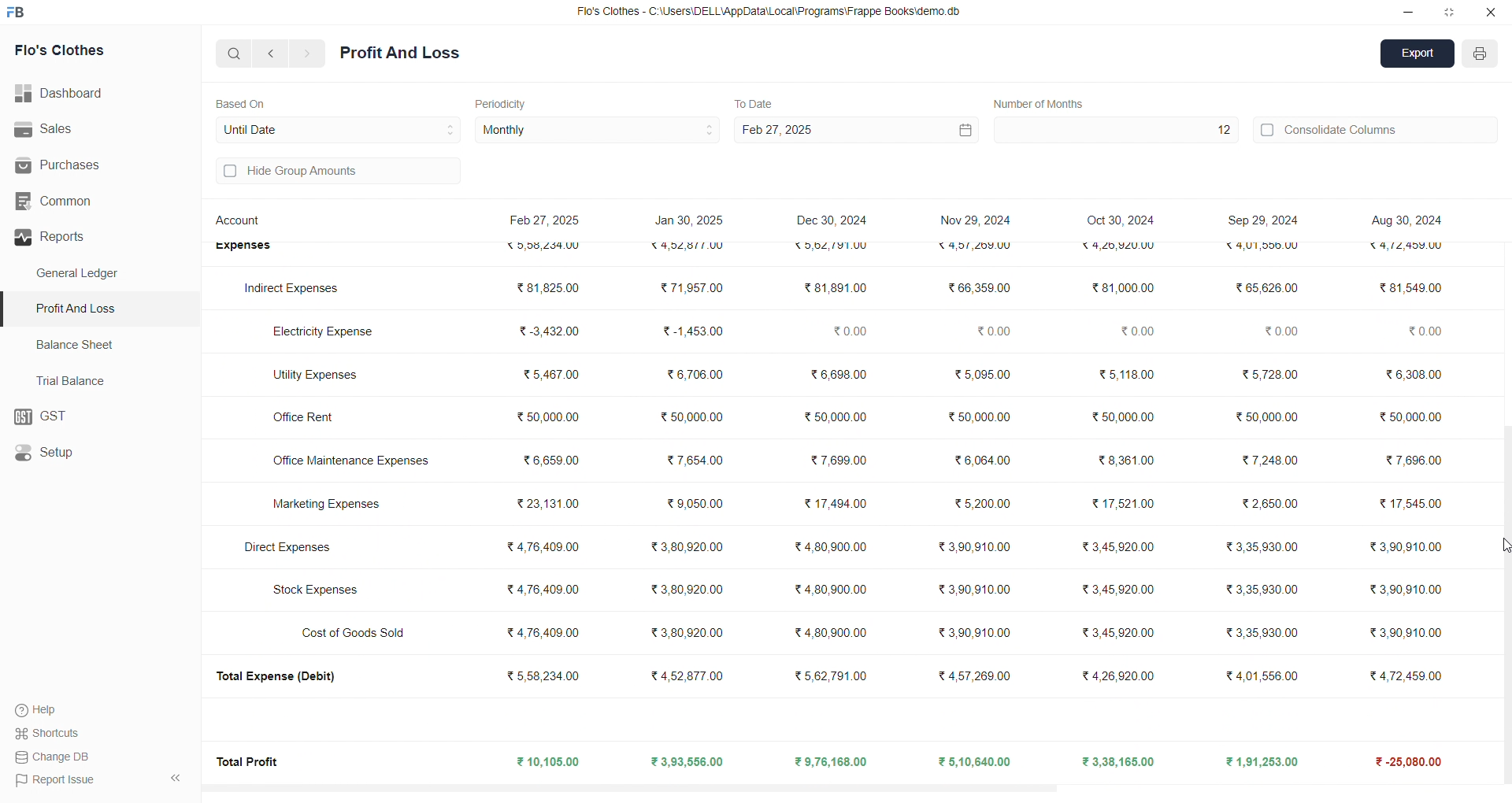  Describe the element at coordinates (1121, 420) in the screenshot. I see `₹50,000.00` at that location.